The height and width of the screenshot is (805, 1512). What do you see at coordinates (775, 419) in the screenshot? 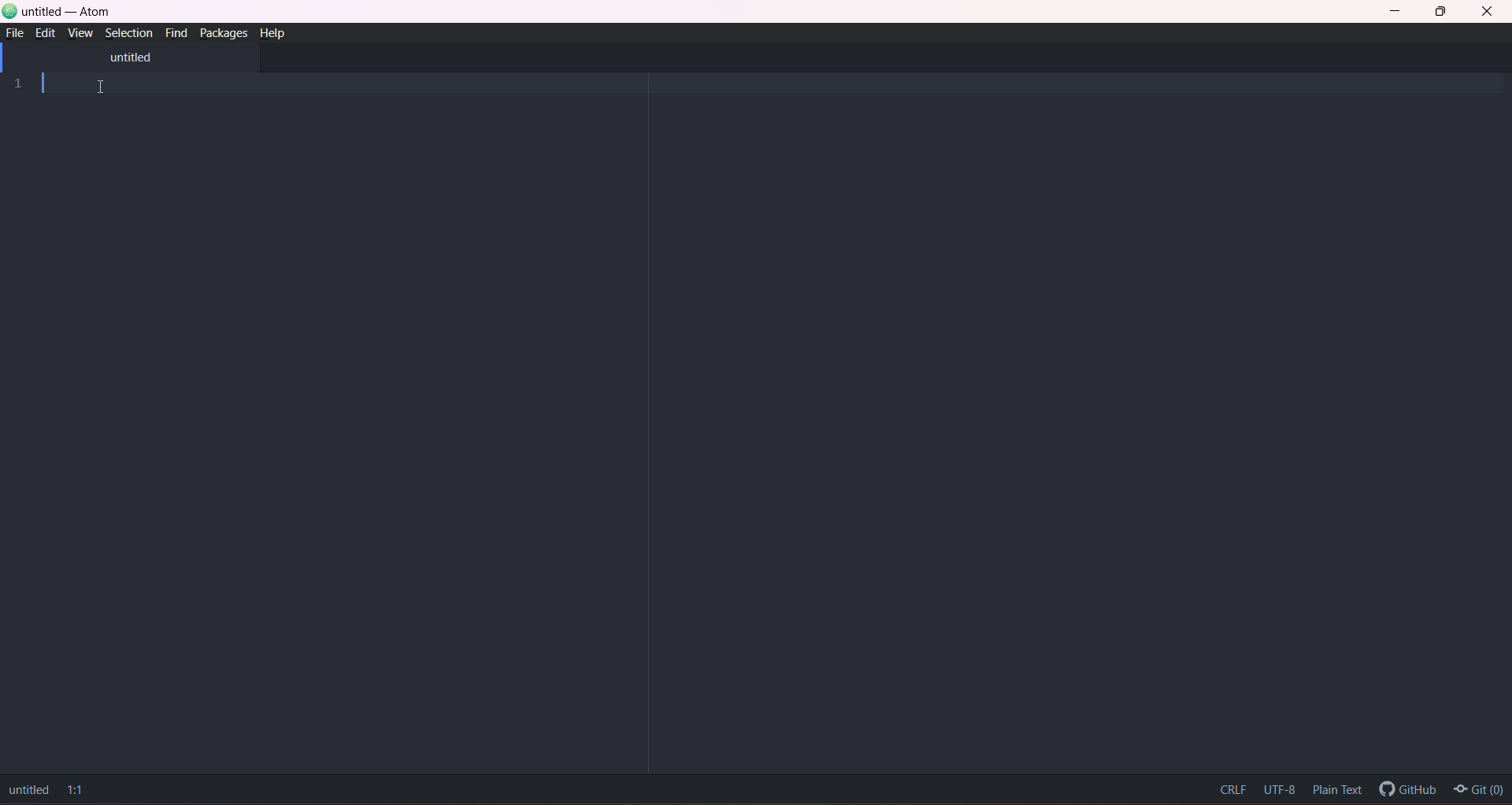
I see `Typing/Coding Space` at bounding box center [775, 419].